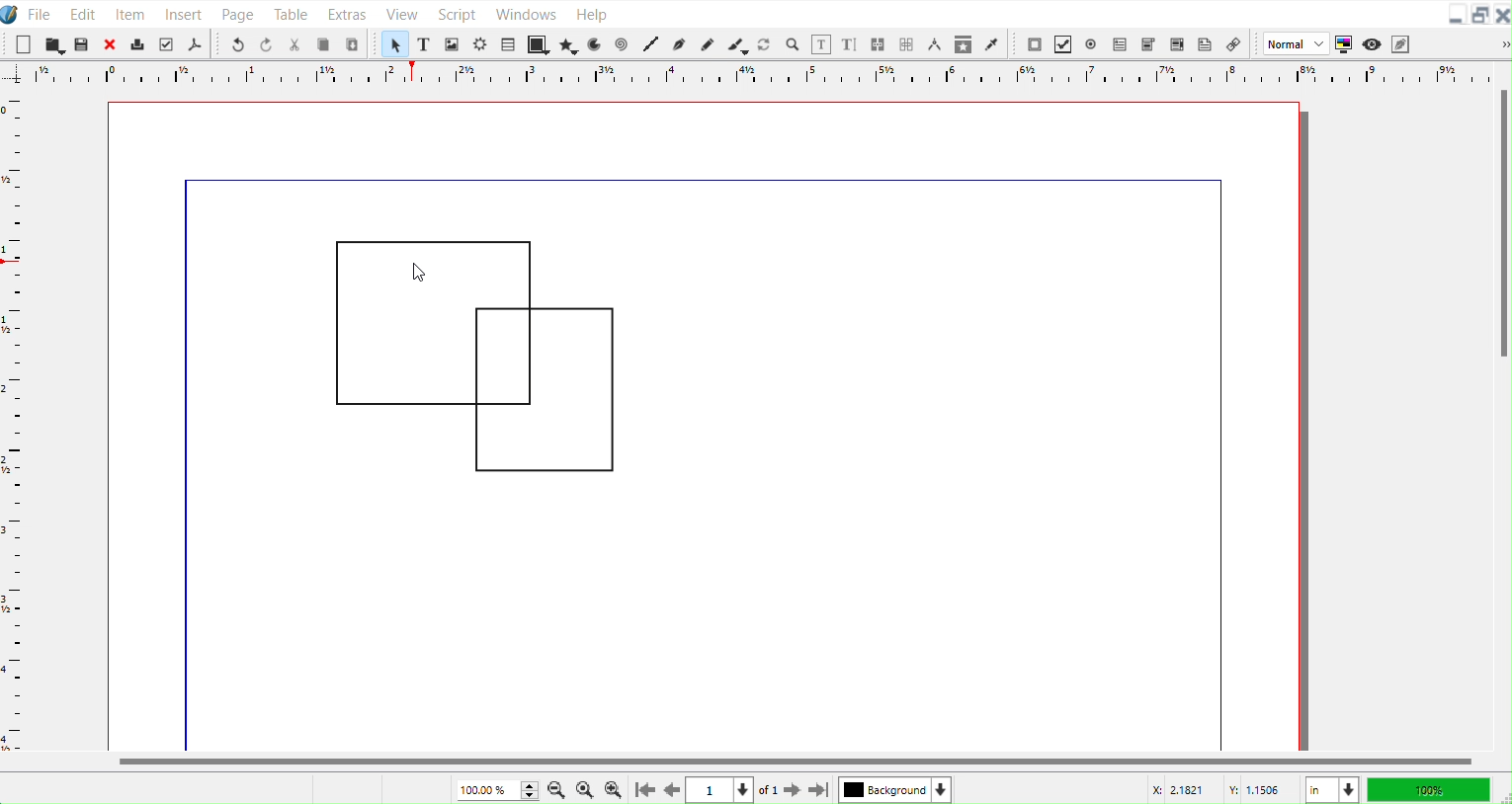  Describe the element at coordinates (585, 789) in the screenshot. I see `Zoom to 100%` at that location.